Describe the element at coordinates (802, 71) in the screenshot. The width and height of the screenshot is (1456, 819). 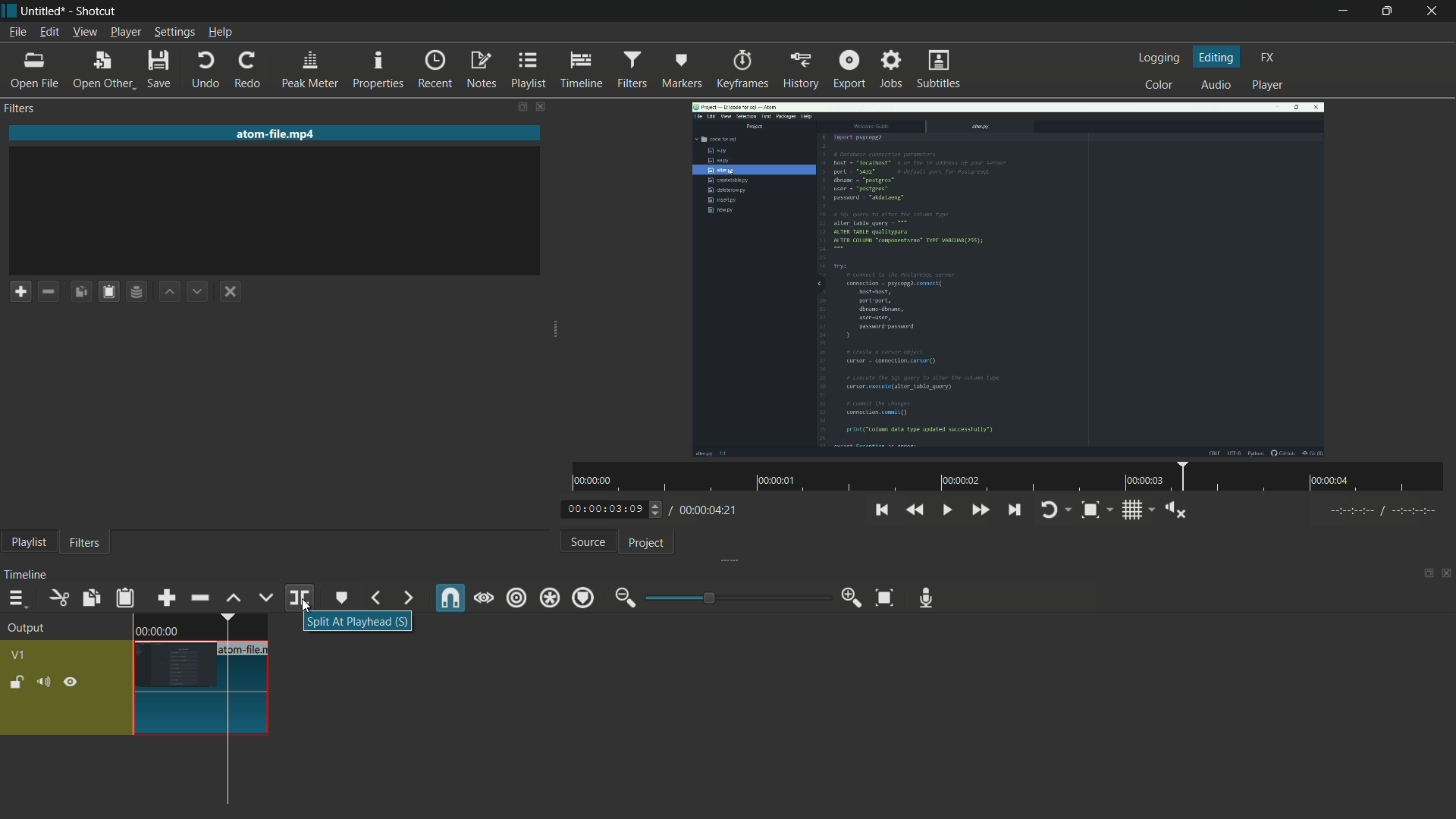
I see `history` at that location.